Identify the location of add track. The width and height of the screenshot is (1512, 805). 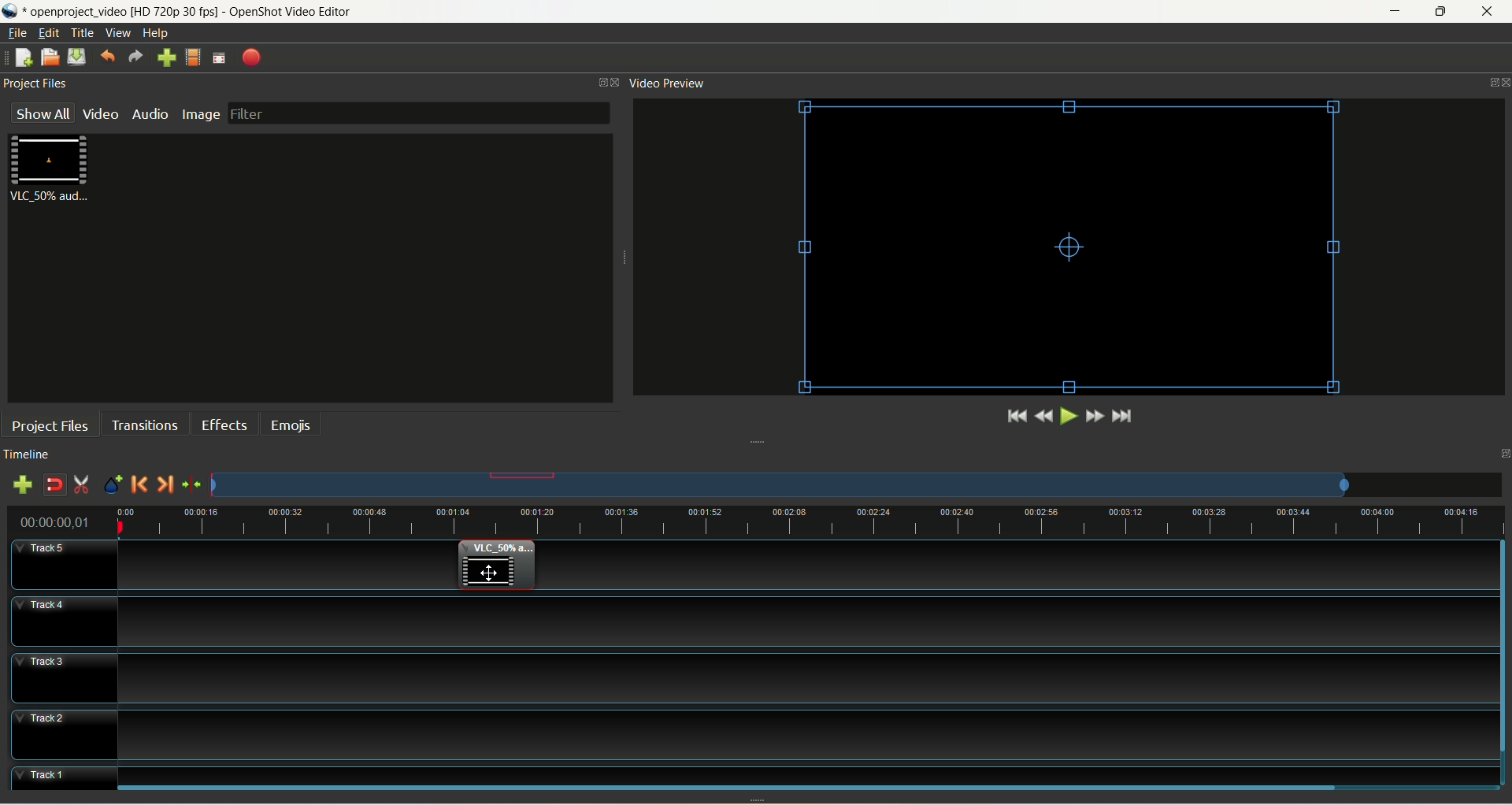
(20, 484).